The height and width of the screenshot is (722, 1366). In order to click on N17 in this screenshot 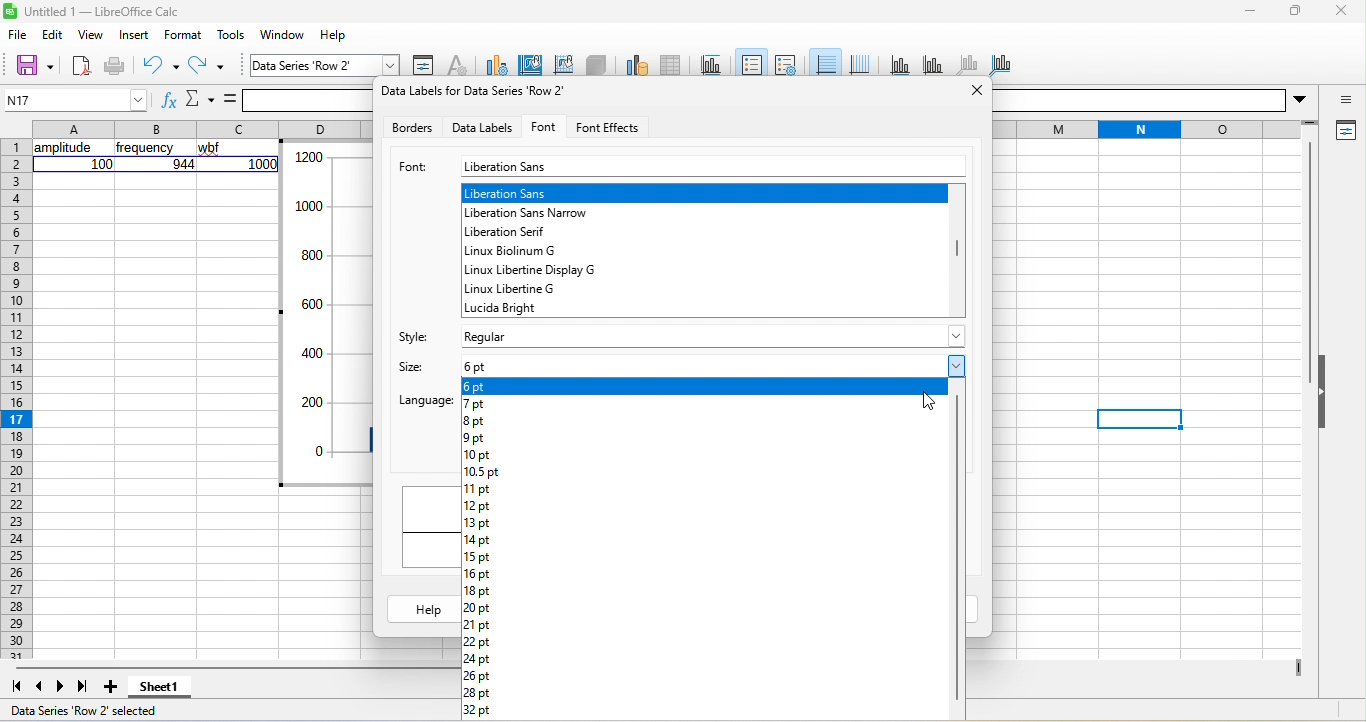, I will do `click(73, 98)`.